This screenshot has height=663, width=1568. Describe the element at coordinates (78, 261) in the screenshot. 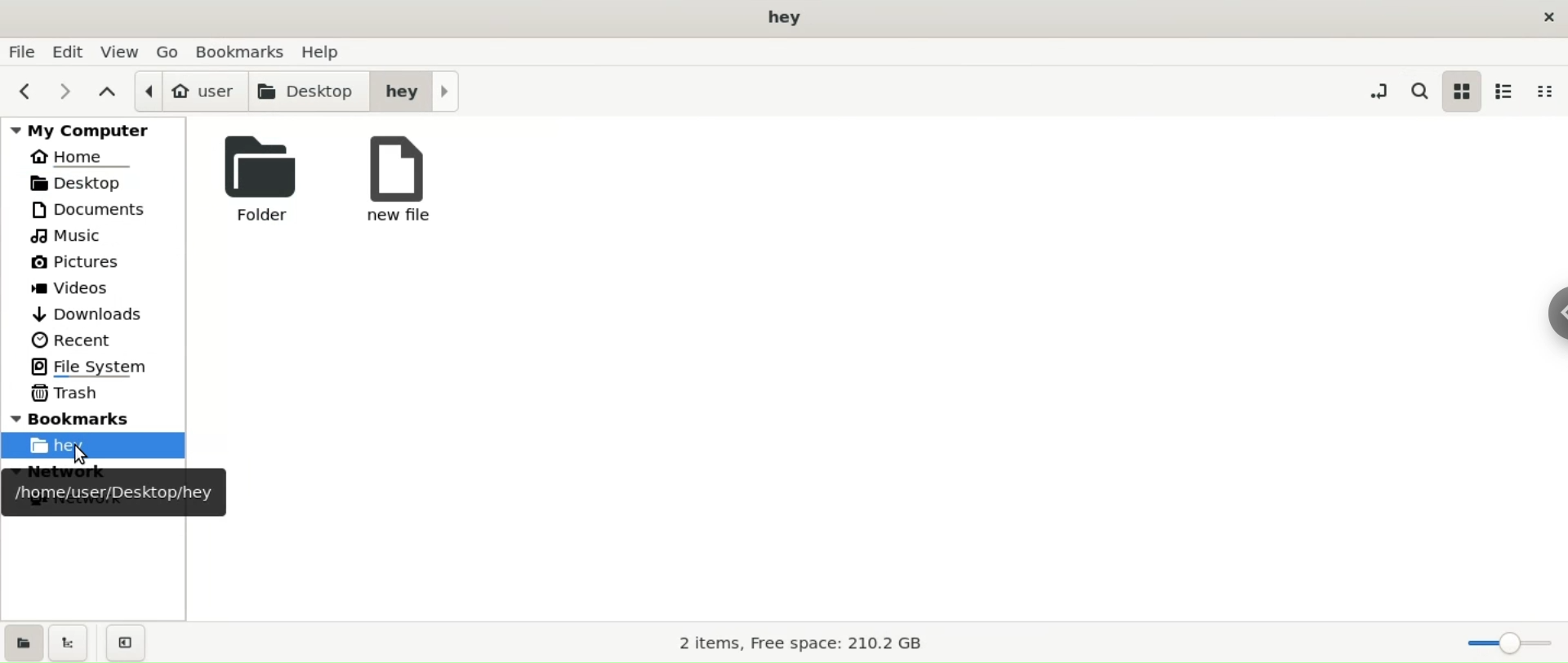

I see `pictures` at that location.